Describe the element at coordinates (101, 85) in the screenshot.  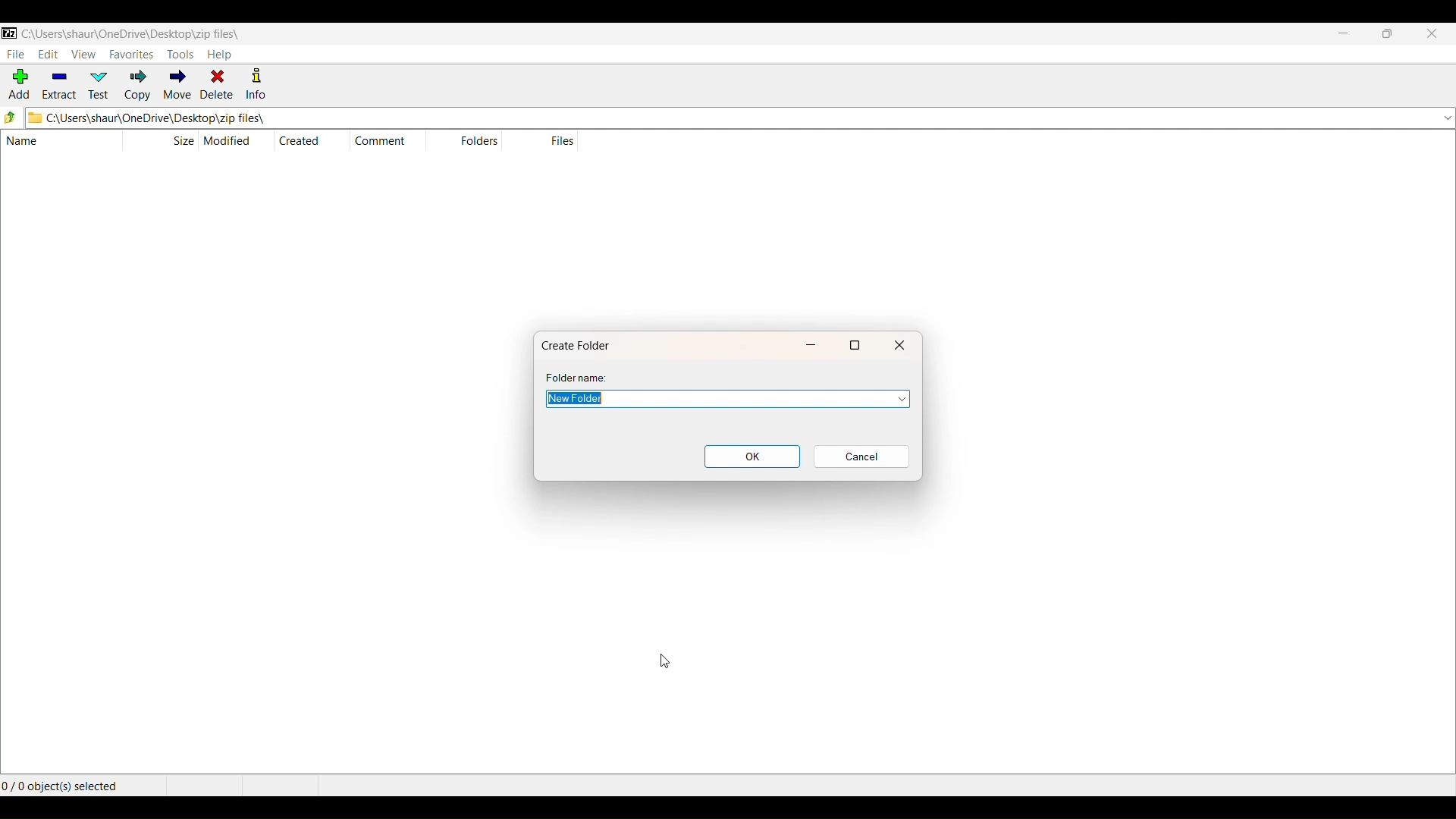
I see `TEST` at that location.